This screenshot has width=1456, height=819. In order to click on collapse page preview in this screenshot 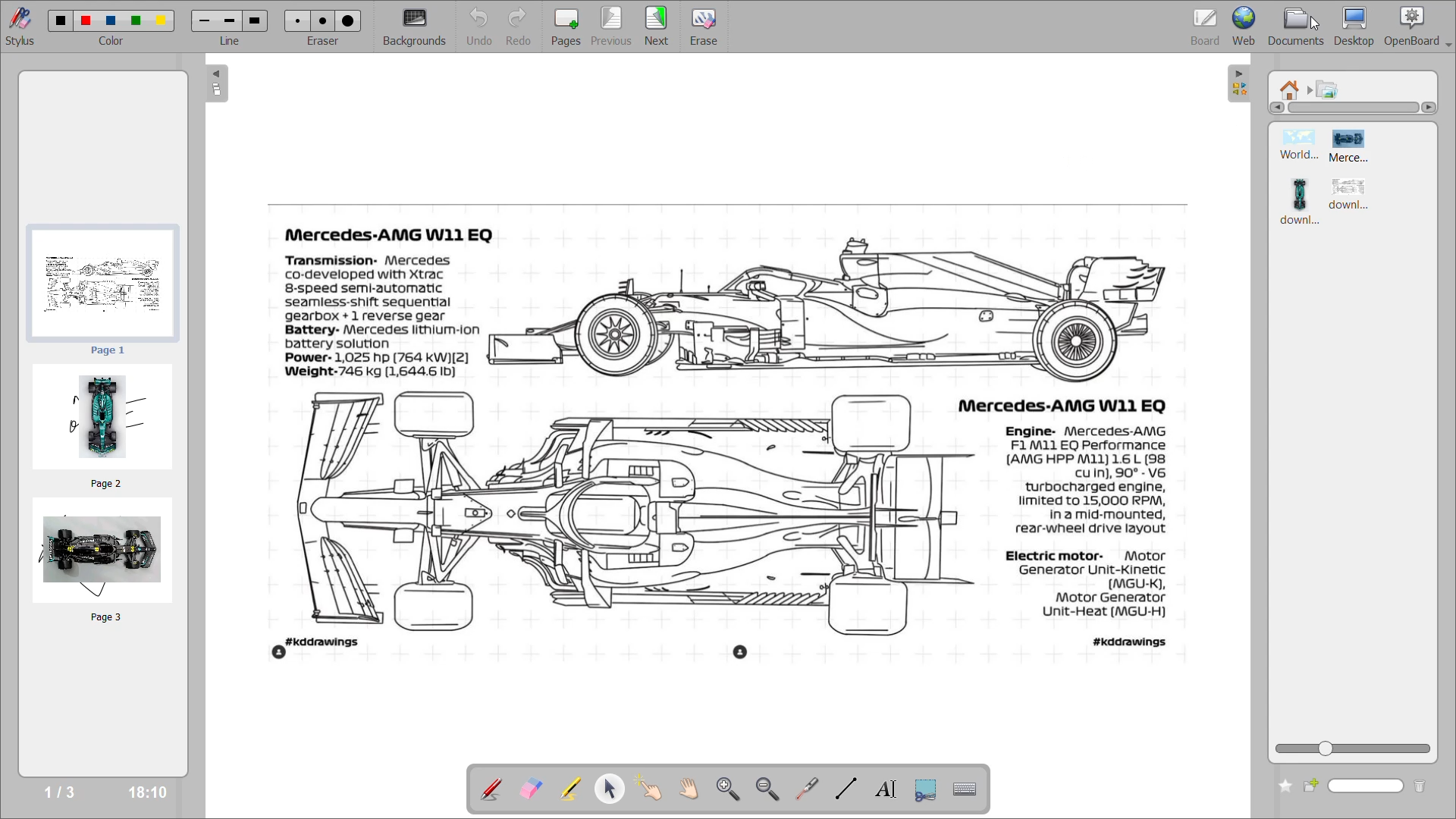, I will do `click(219, 87)`.